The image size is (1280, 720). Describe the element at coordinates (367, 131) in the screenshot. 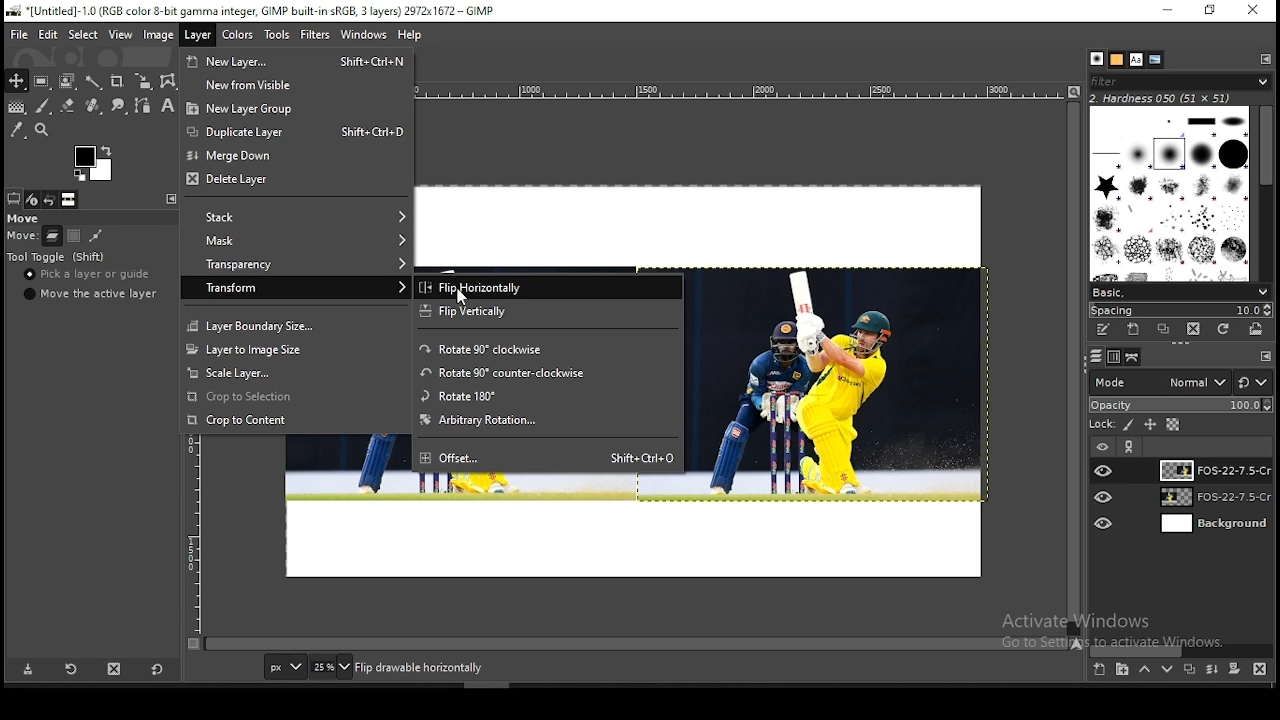

I see `Shortcut key` at that location.